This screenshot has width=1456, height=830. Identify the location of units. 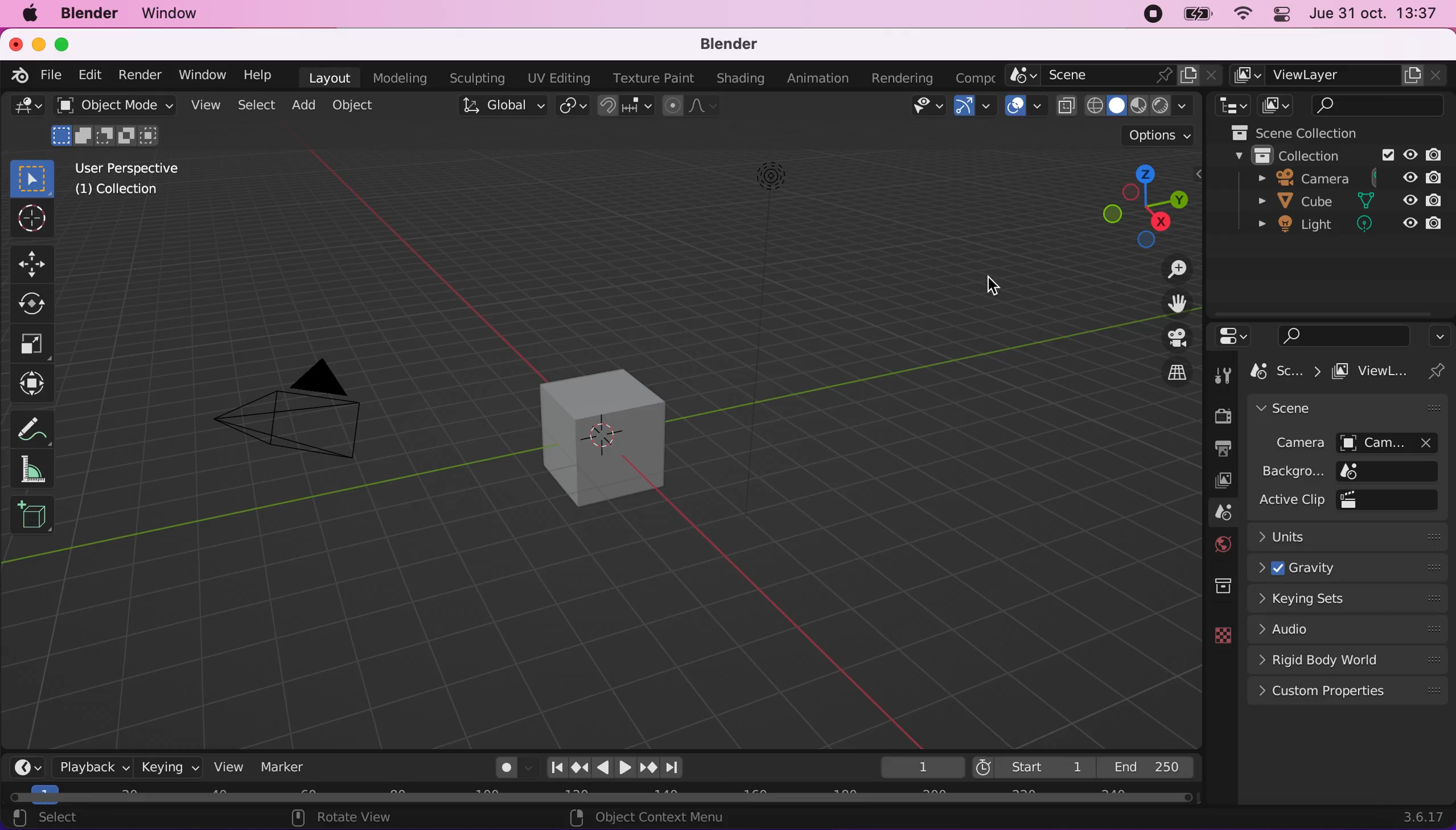
(1351, 536).